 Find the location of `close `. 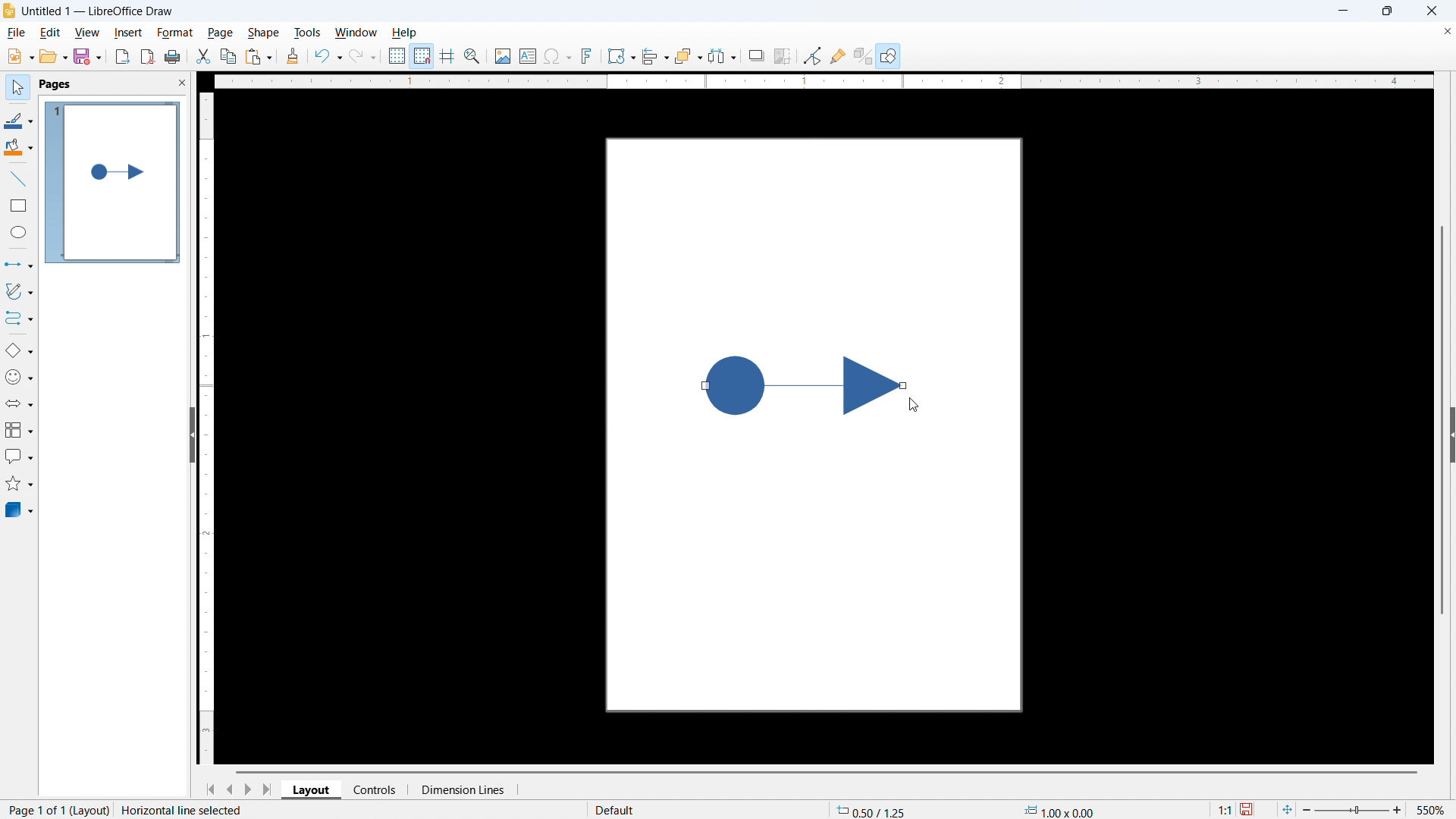

close  is located at coordinates (1431, 11).